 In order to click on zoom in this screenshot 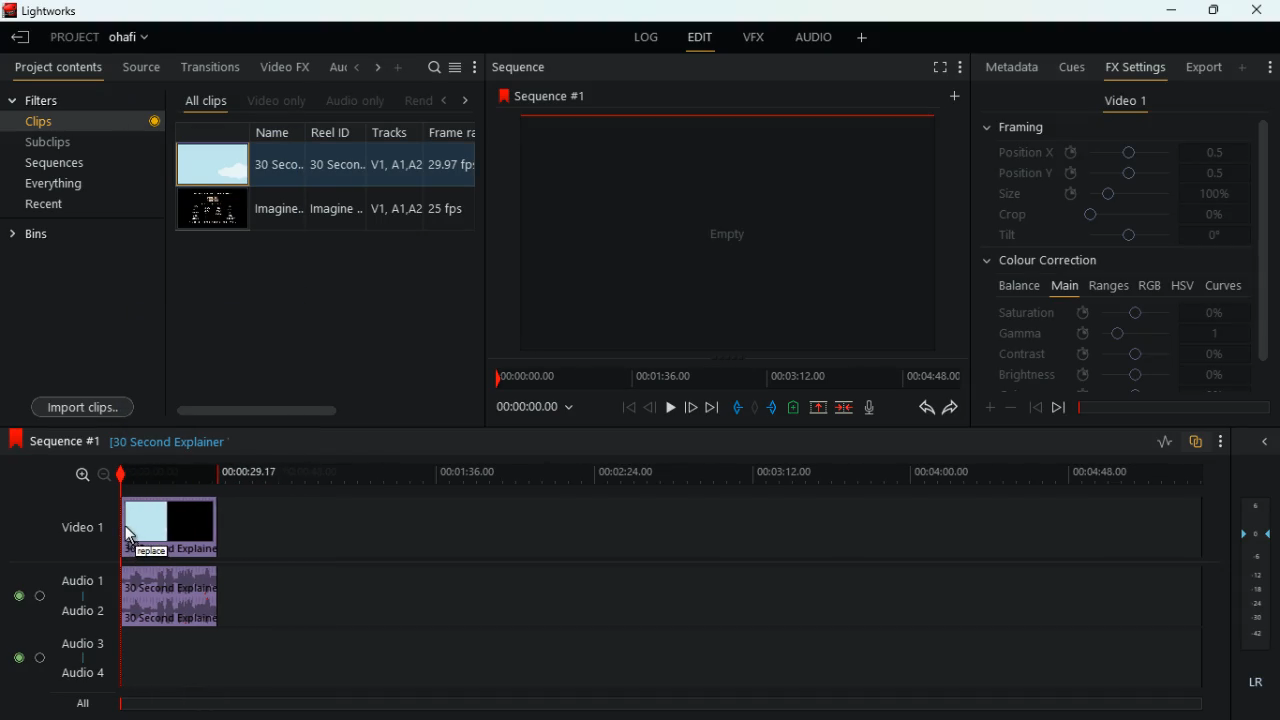, I will do `click(85, 476)`.